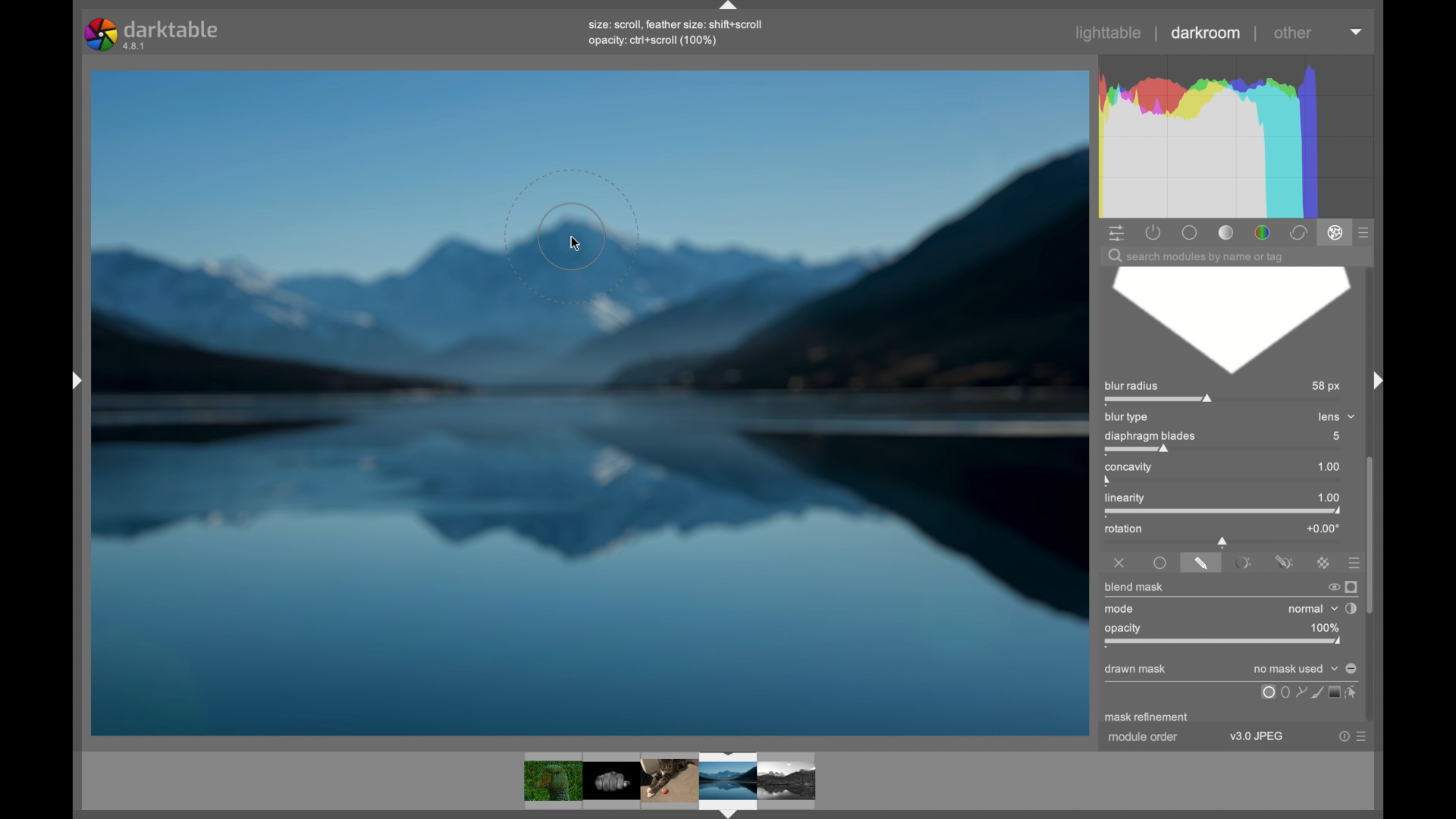 The height and width of the screenshot is (819, 1456). I want to click on show active modules only, so click(1153, 232).